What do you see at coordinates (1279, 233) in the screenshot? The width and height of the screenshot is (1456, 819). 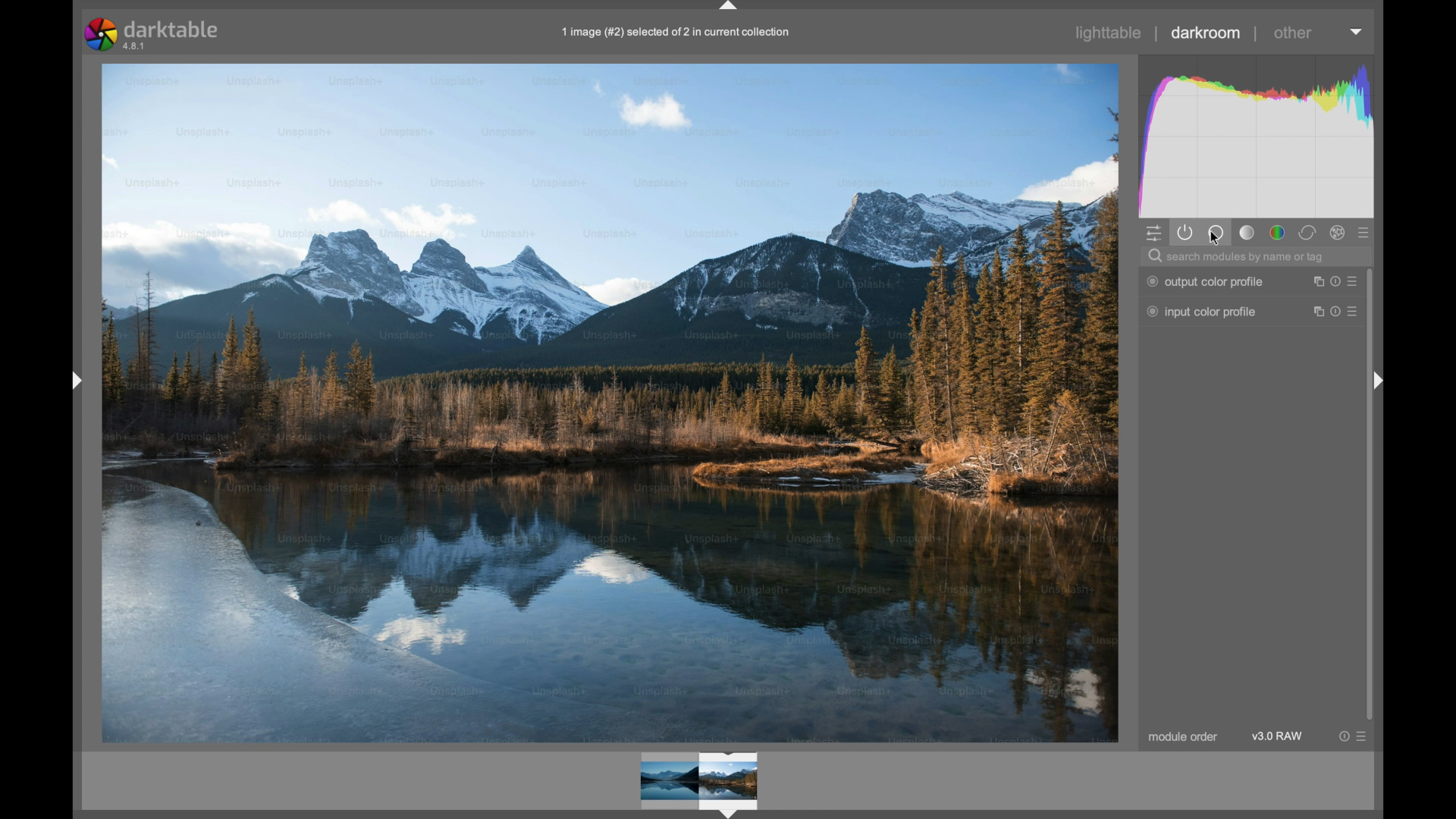 I see `color` at bounding box center [1279, 233].